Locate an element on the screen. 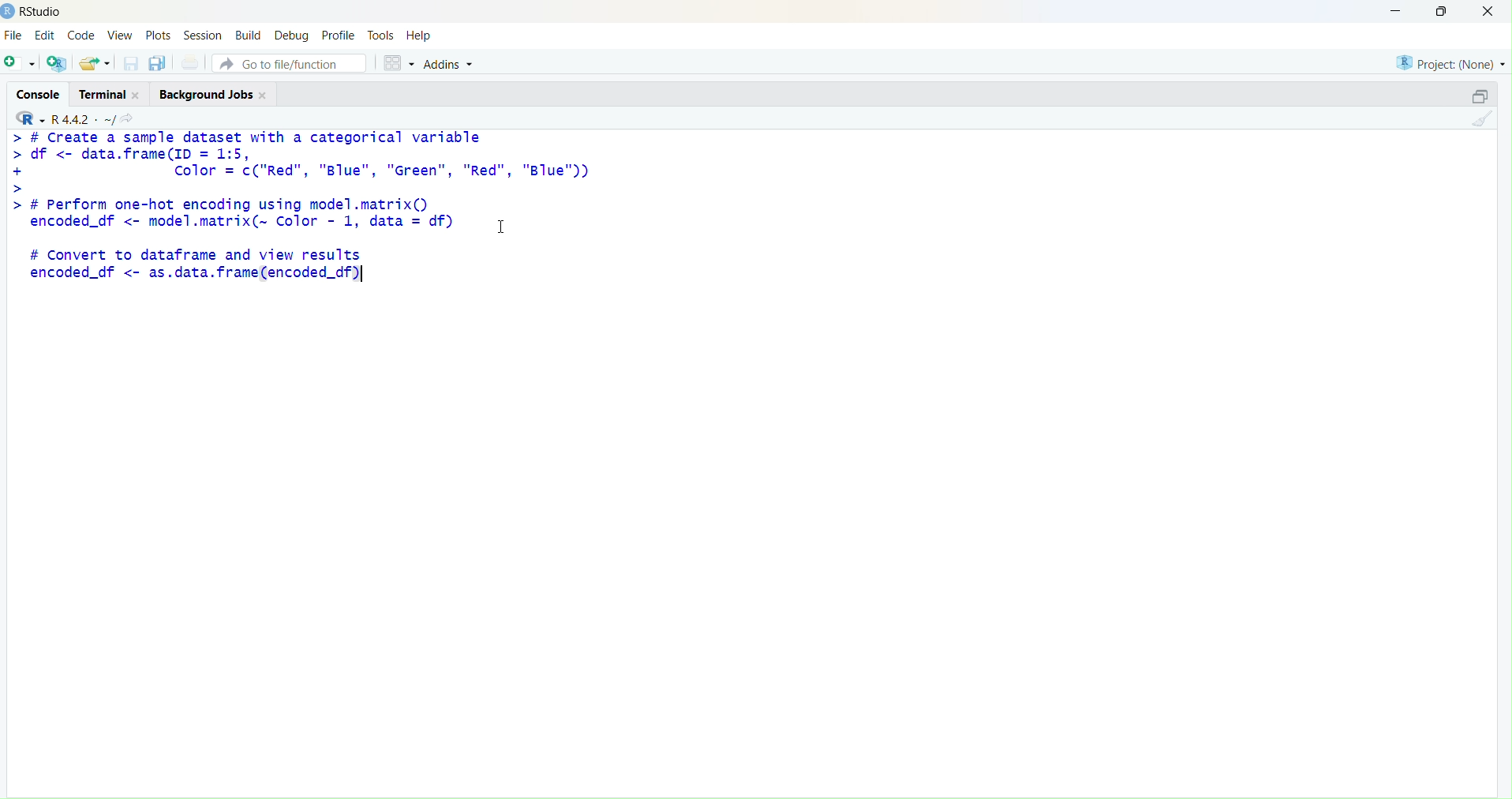 Image resolution: width=1512 pixels, height=799 pixels. tools is located at coordinates (381, 36).